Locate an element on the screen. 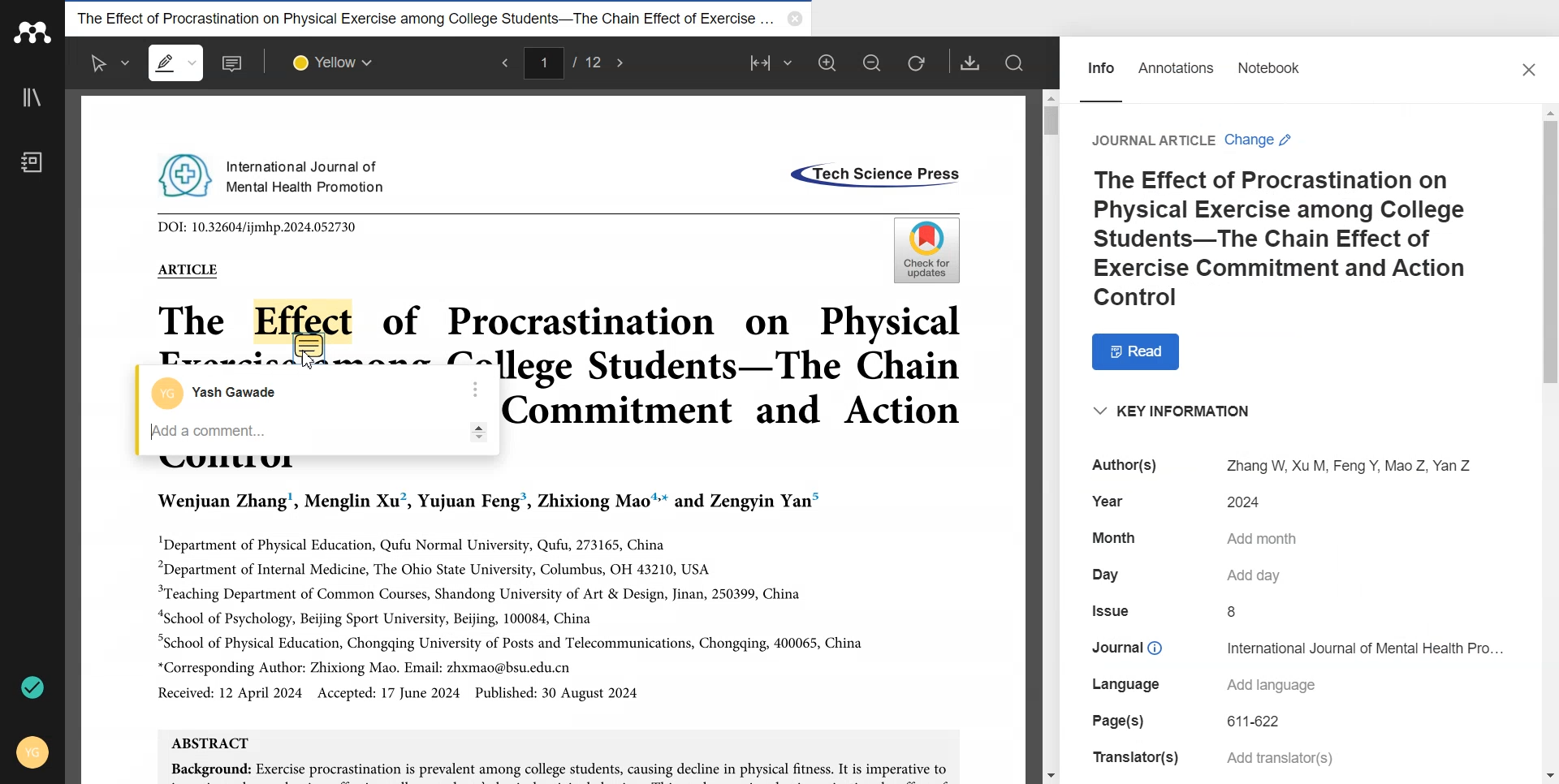 The image size is (1559, 784). Account is located at coordinates (29, 748).